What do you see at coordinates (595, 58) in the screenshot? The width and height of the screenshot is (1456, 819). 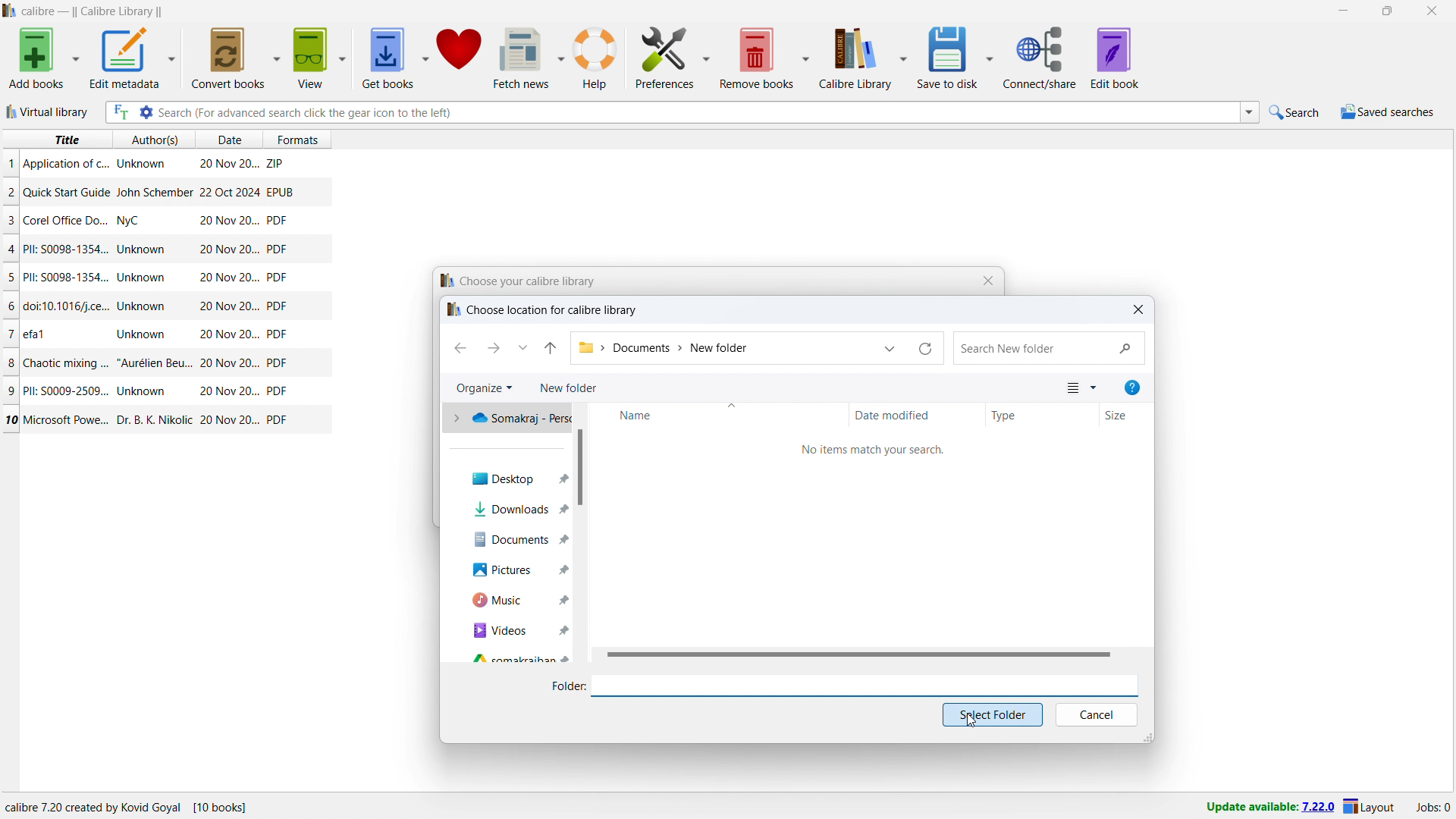 I see `help` at bounding box center [595, 58].